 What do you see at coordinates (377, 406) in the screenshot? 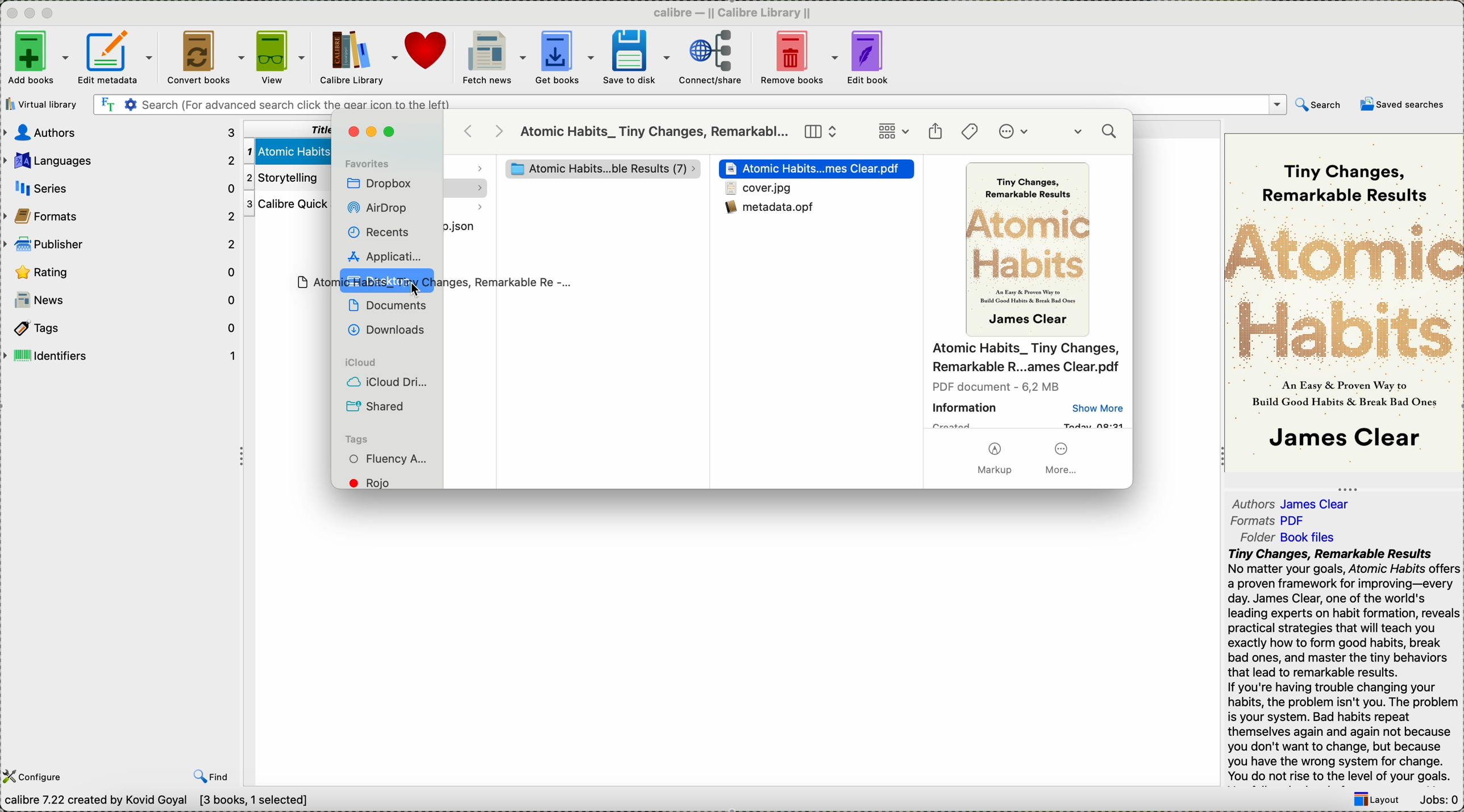
I see `shared` at bounding box center [377, 406].